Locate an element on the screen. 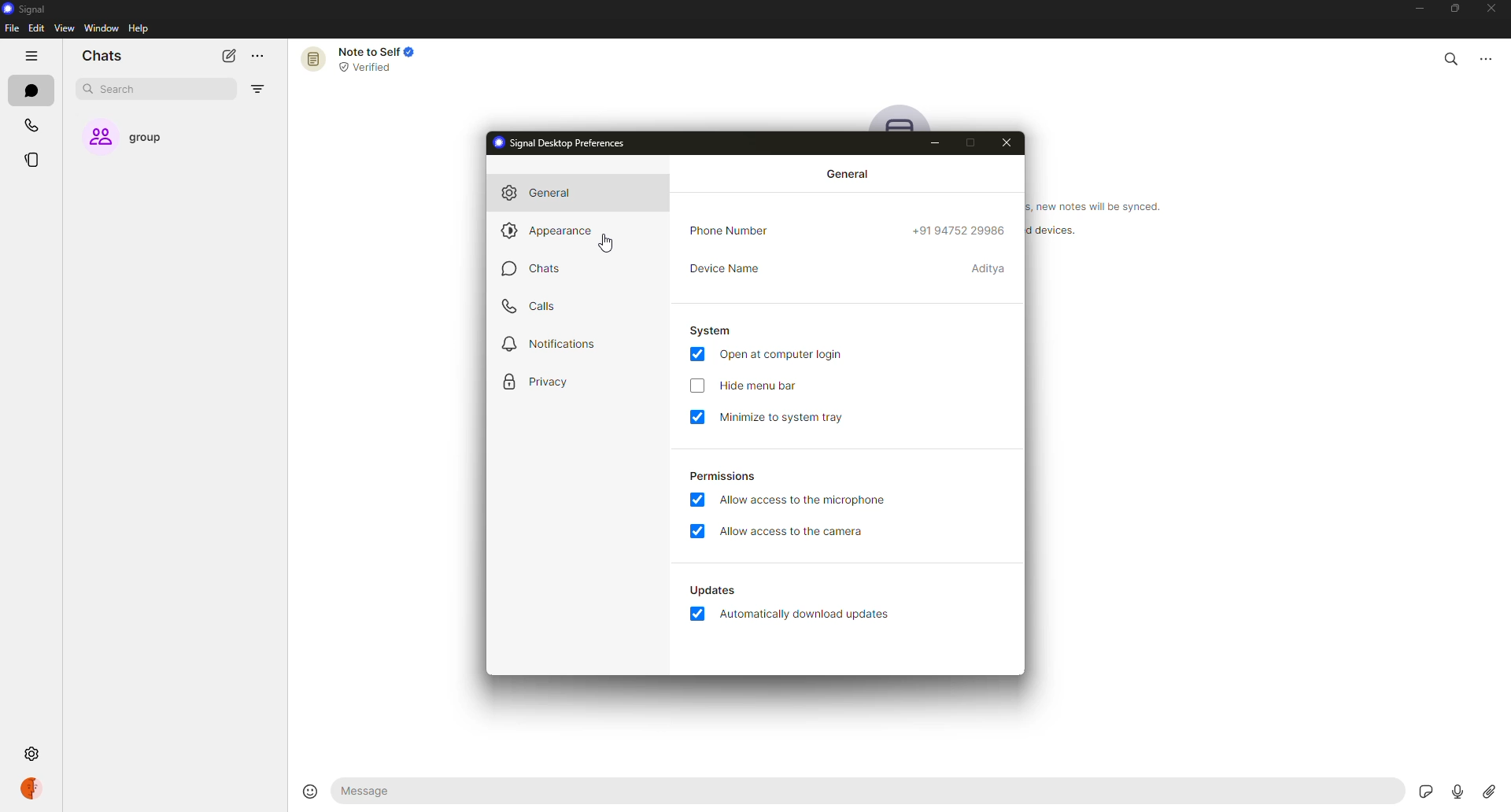  general is located at coordinates (543, 194).